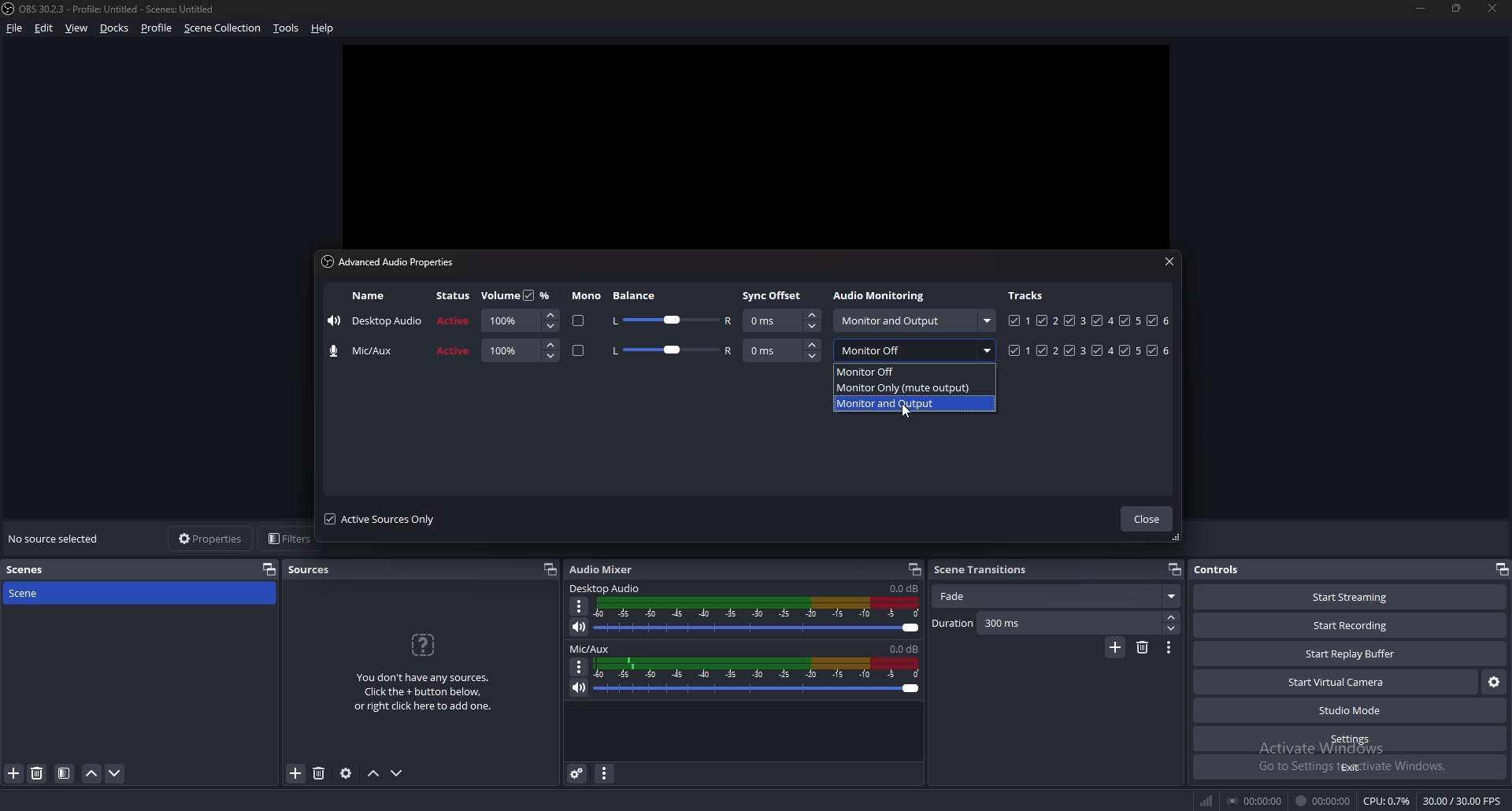  What do you see at coordinates (580, 687) in the screenshot?
I see `mute` at bounding box center [580, 687].